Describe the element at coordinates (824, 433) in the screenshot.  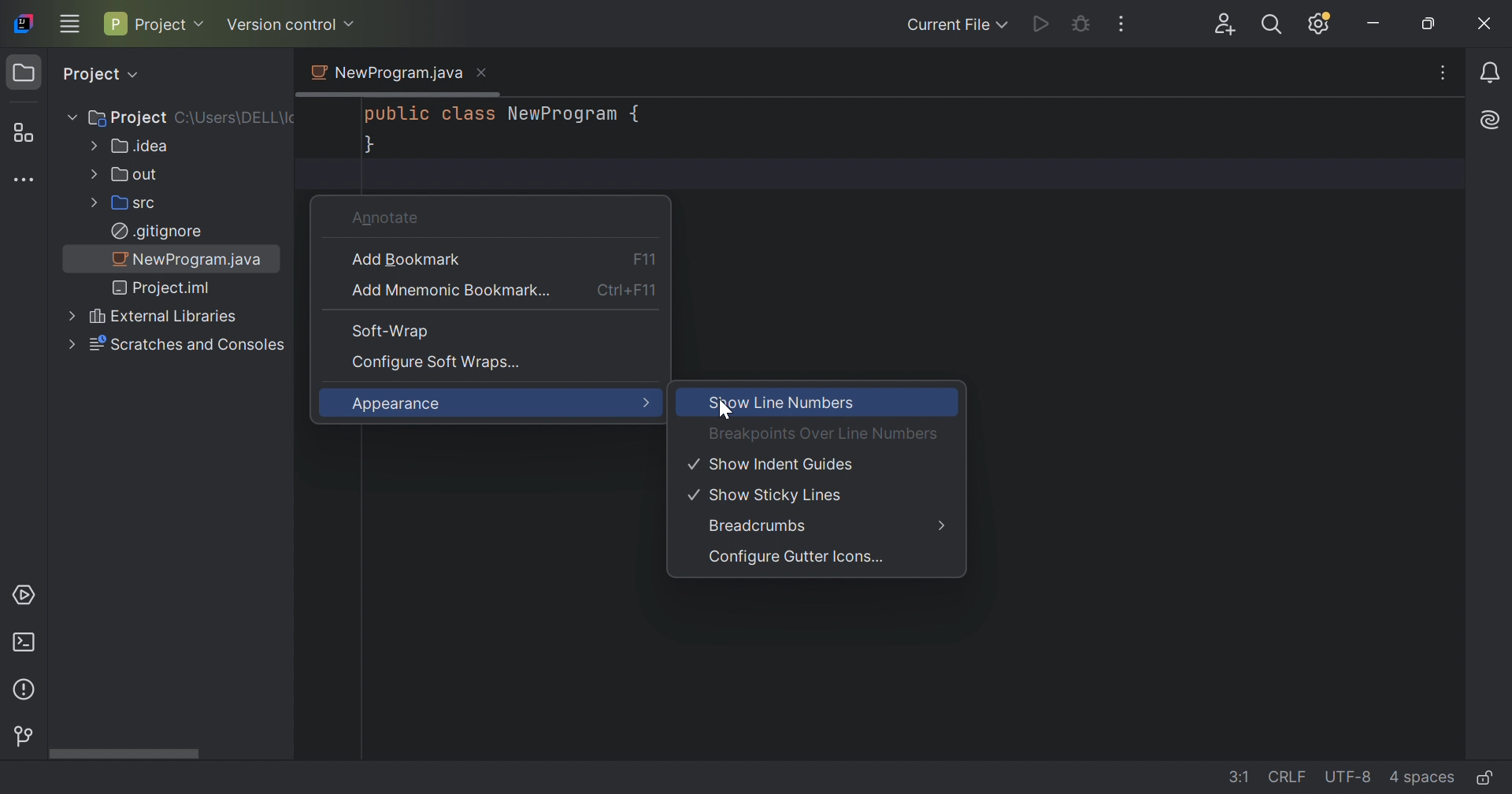
I see `Breakpoints Over Line Numbers` at that location.